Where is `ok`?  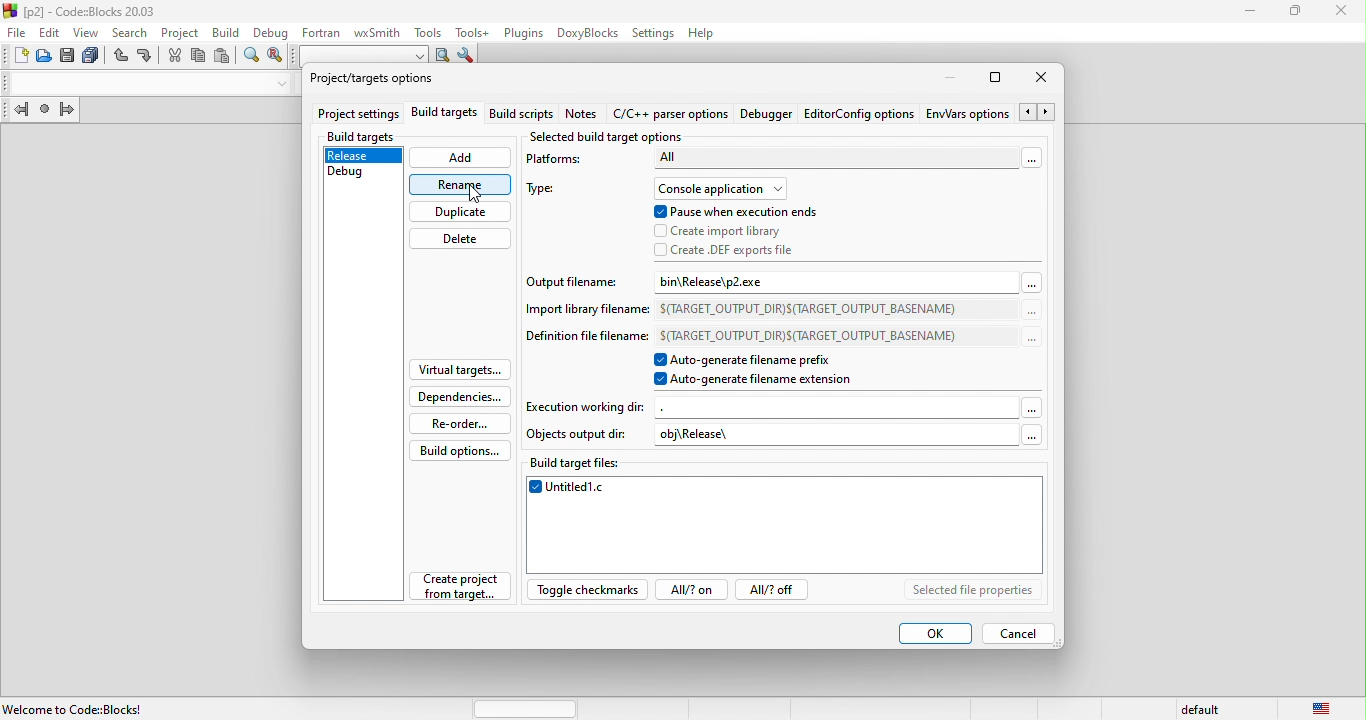
ok is located at coordinates (935, 634).